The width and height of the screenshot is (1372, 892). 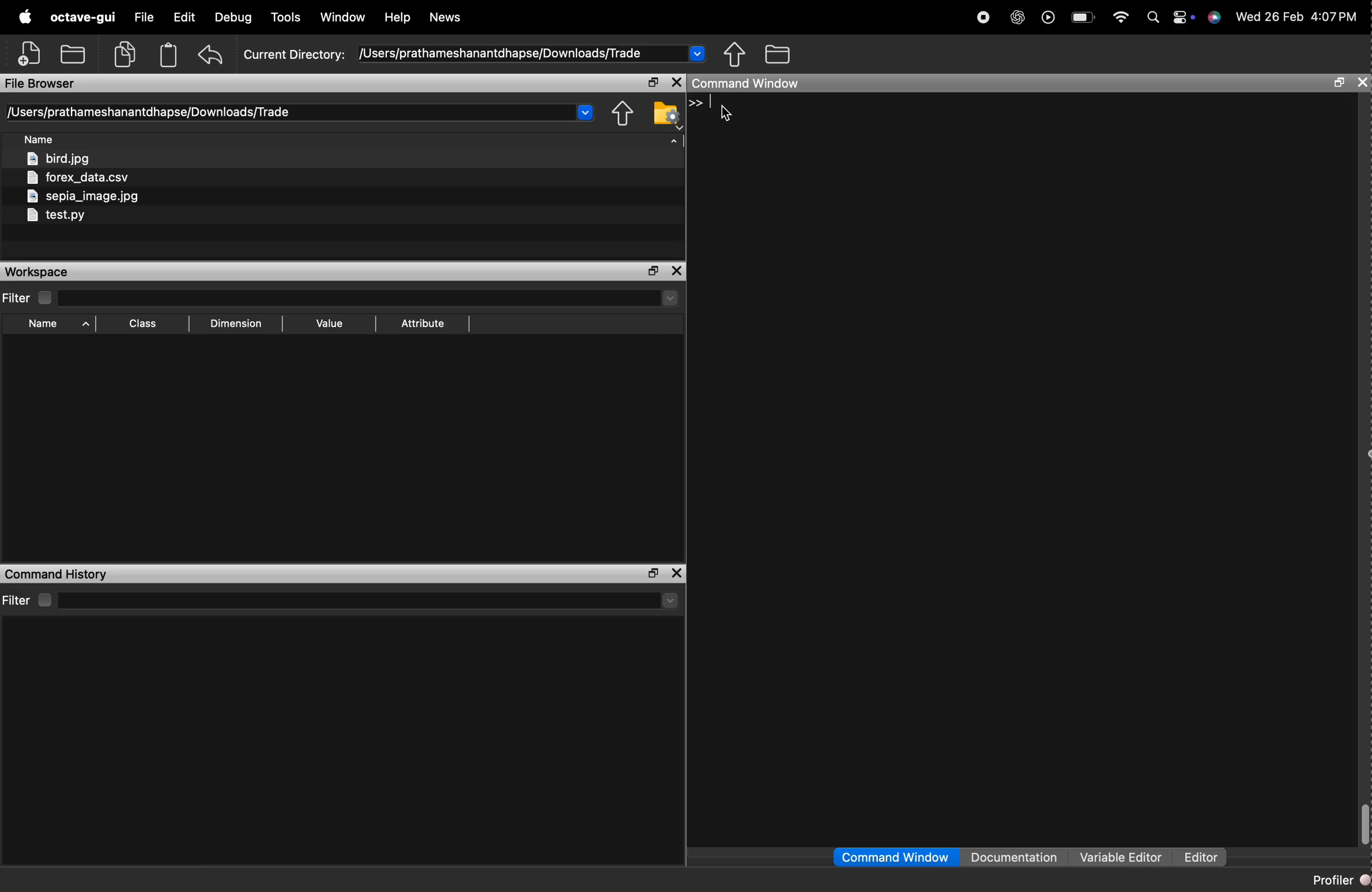 I want to click on Help, so click(x=398, y=17).